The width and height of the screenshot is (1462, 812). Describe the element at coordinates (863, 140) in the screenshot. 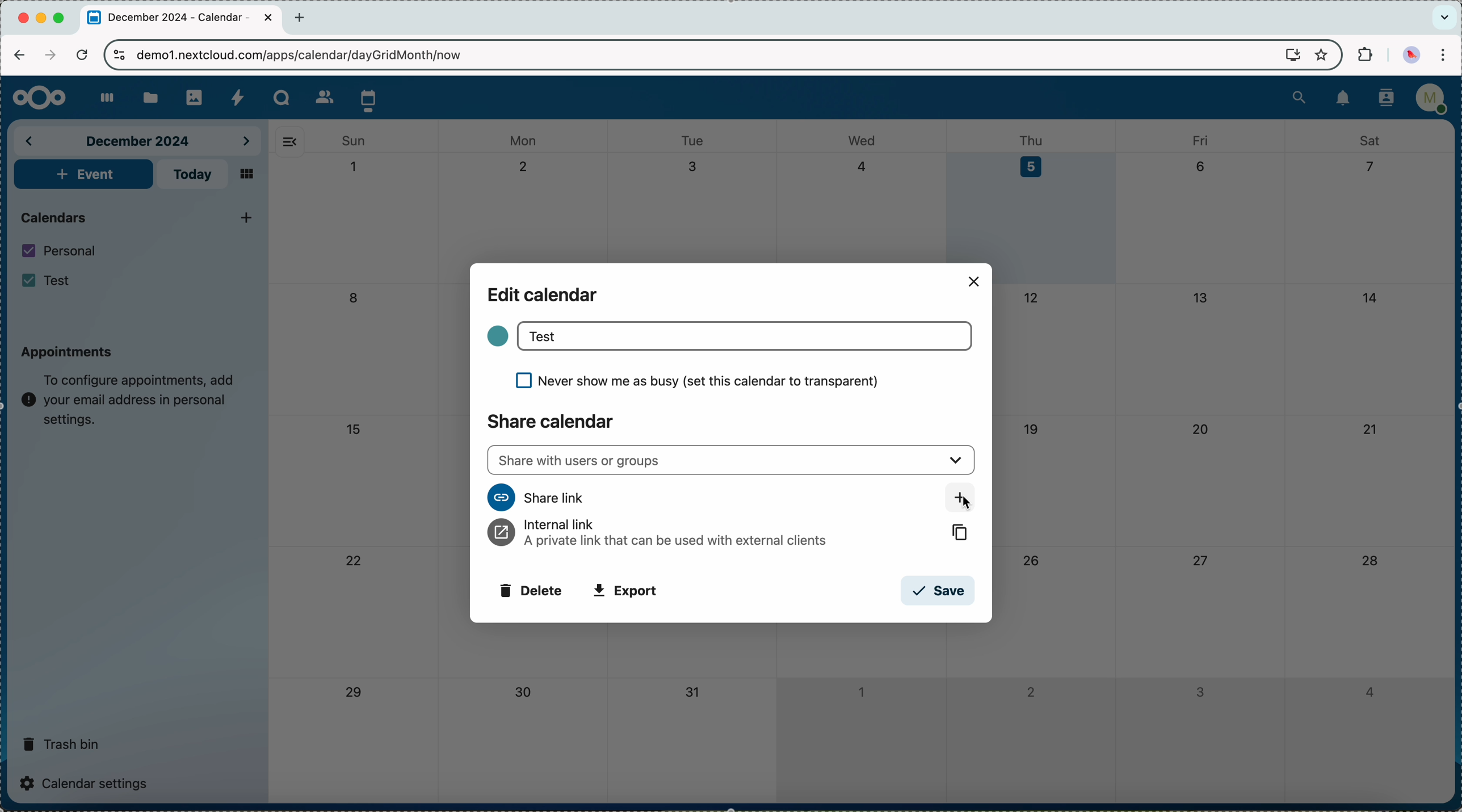

I see `wed` at that location.